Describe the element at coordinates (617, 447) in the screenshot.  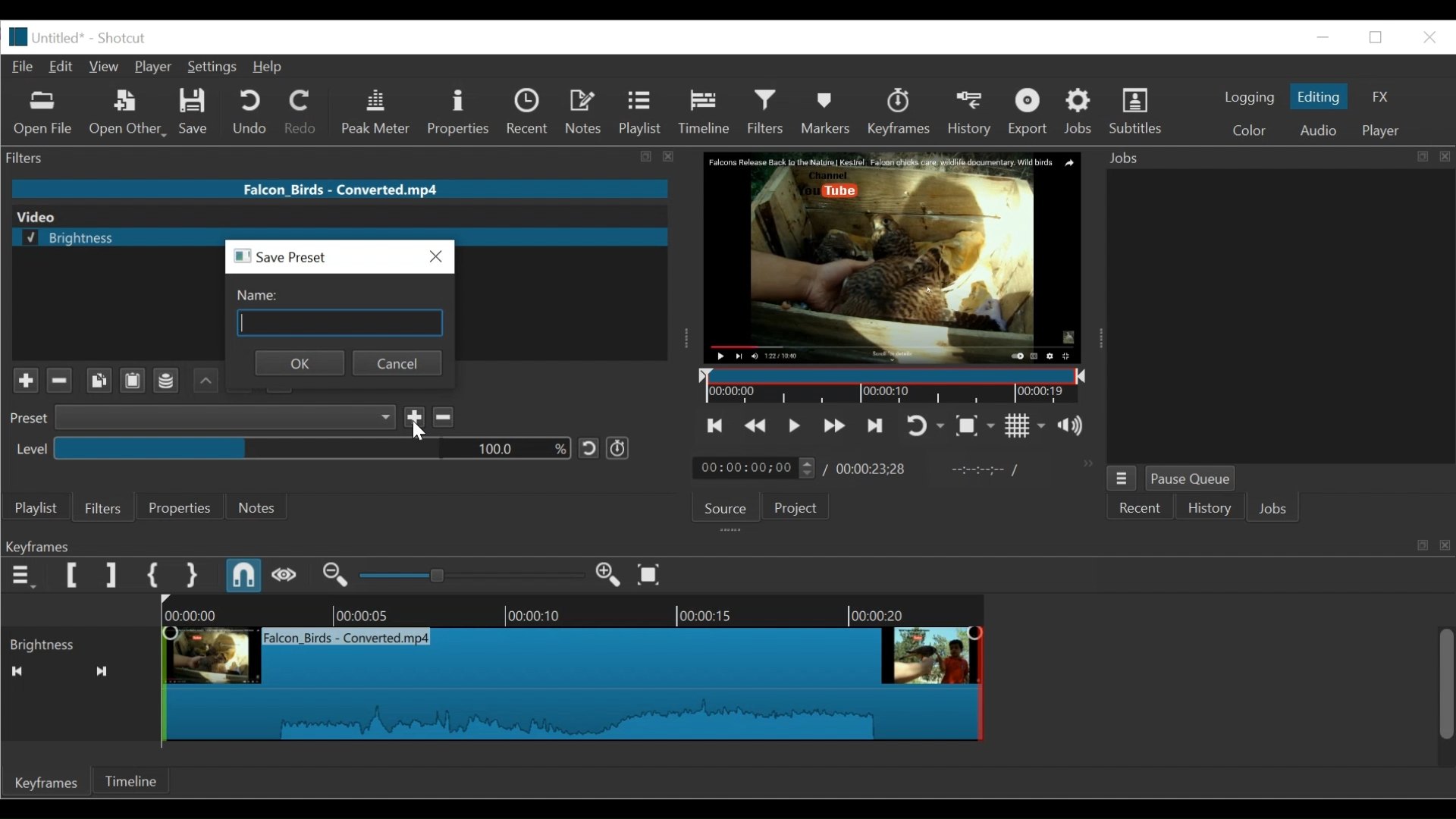
I see `Use keyframe for this parameter` at that location.